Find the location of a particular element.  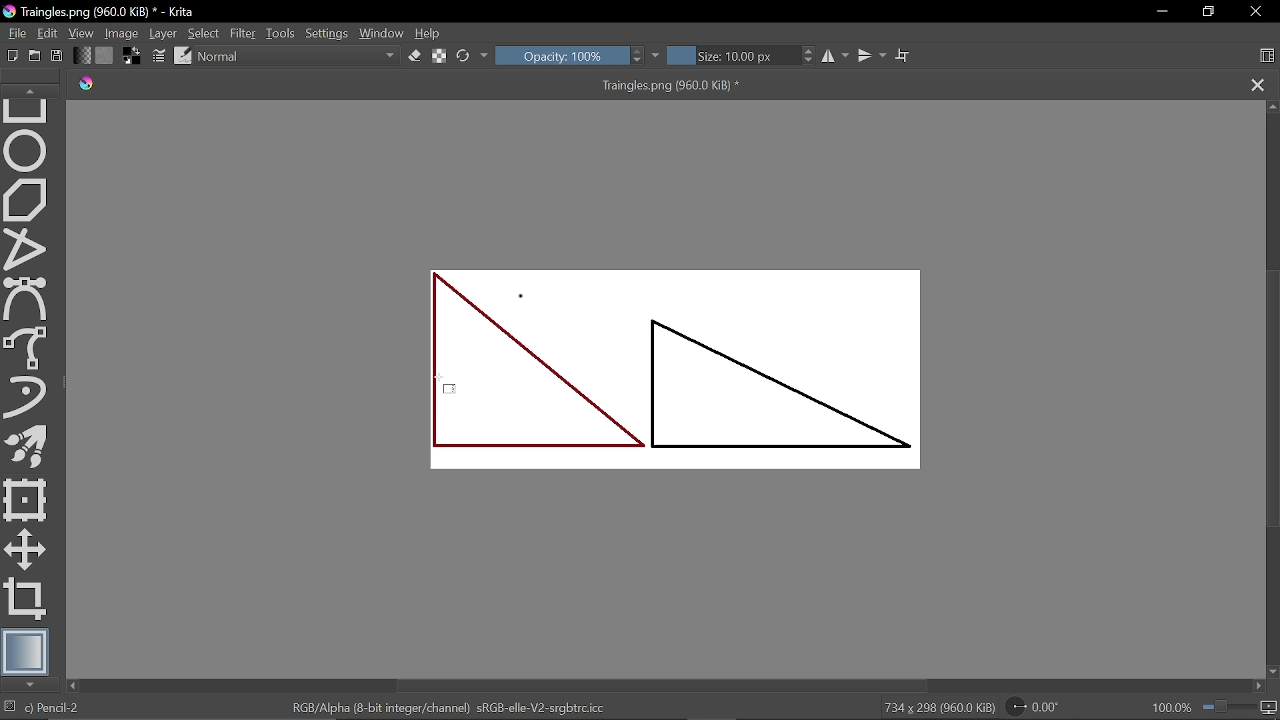

Crop tool is located at coordinates (27, 600).